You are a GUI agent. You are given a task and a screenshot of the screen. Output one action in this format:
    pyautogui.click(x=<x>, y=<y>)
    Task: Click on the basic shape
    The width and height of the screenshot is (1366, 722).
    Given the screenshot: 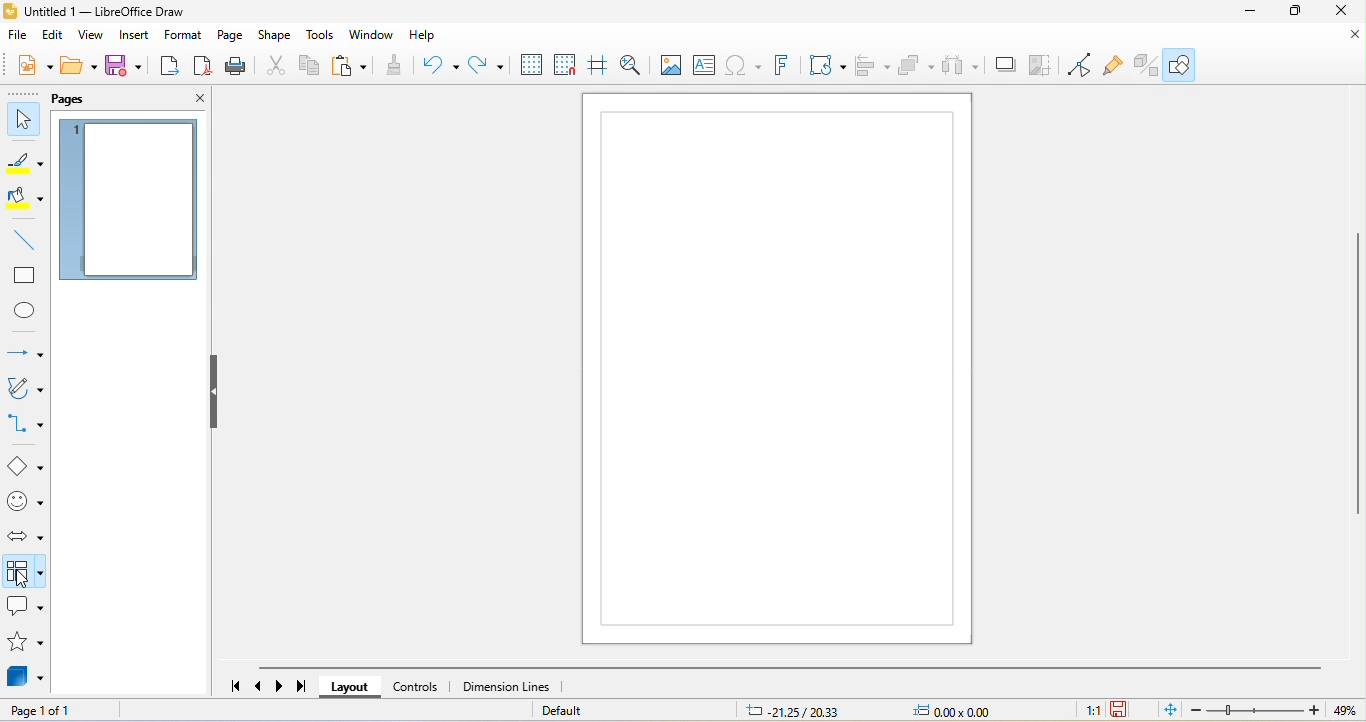 What is the action you would take?
    pyautogui.click(x=26, y=467)
    